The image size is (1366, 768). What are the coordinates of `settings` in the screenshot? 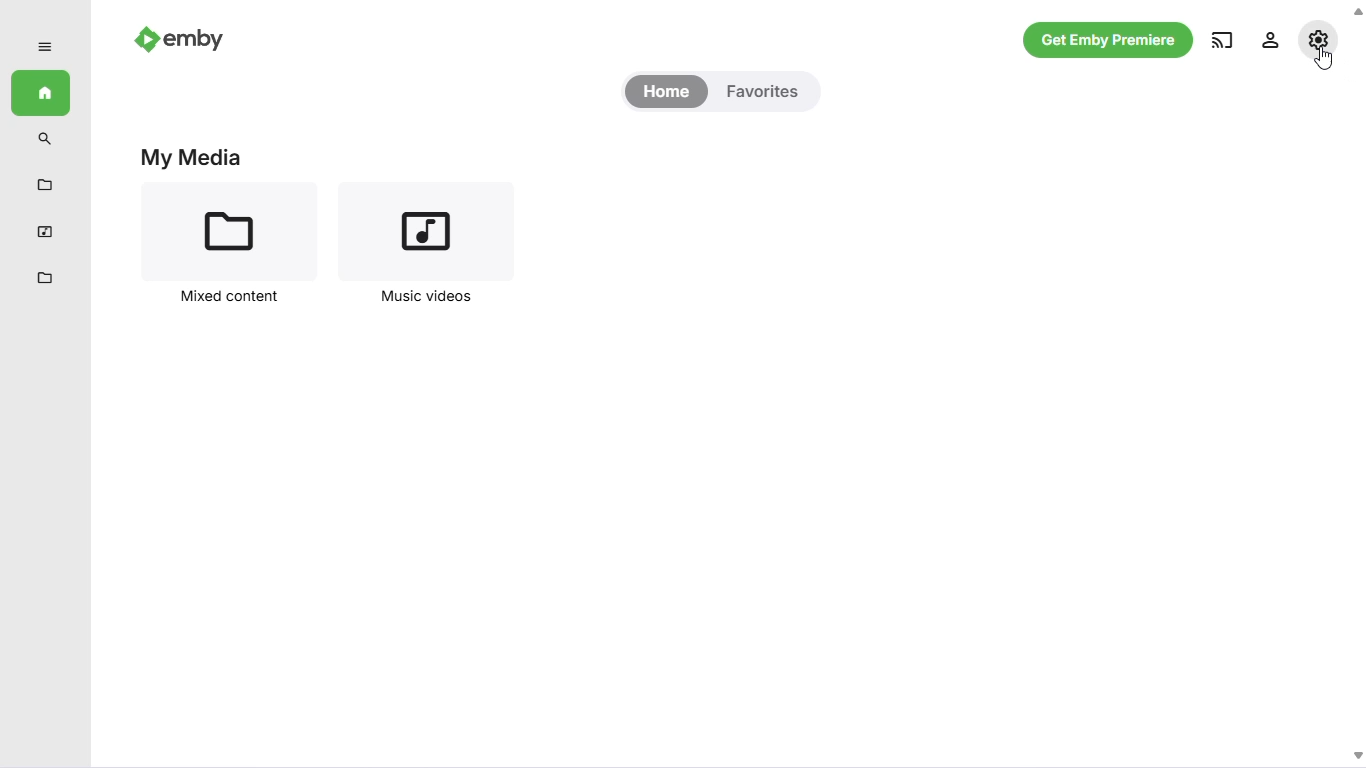 It's located at (1319, 37).